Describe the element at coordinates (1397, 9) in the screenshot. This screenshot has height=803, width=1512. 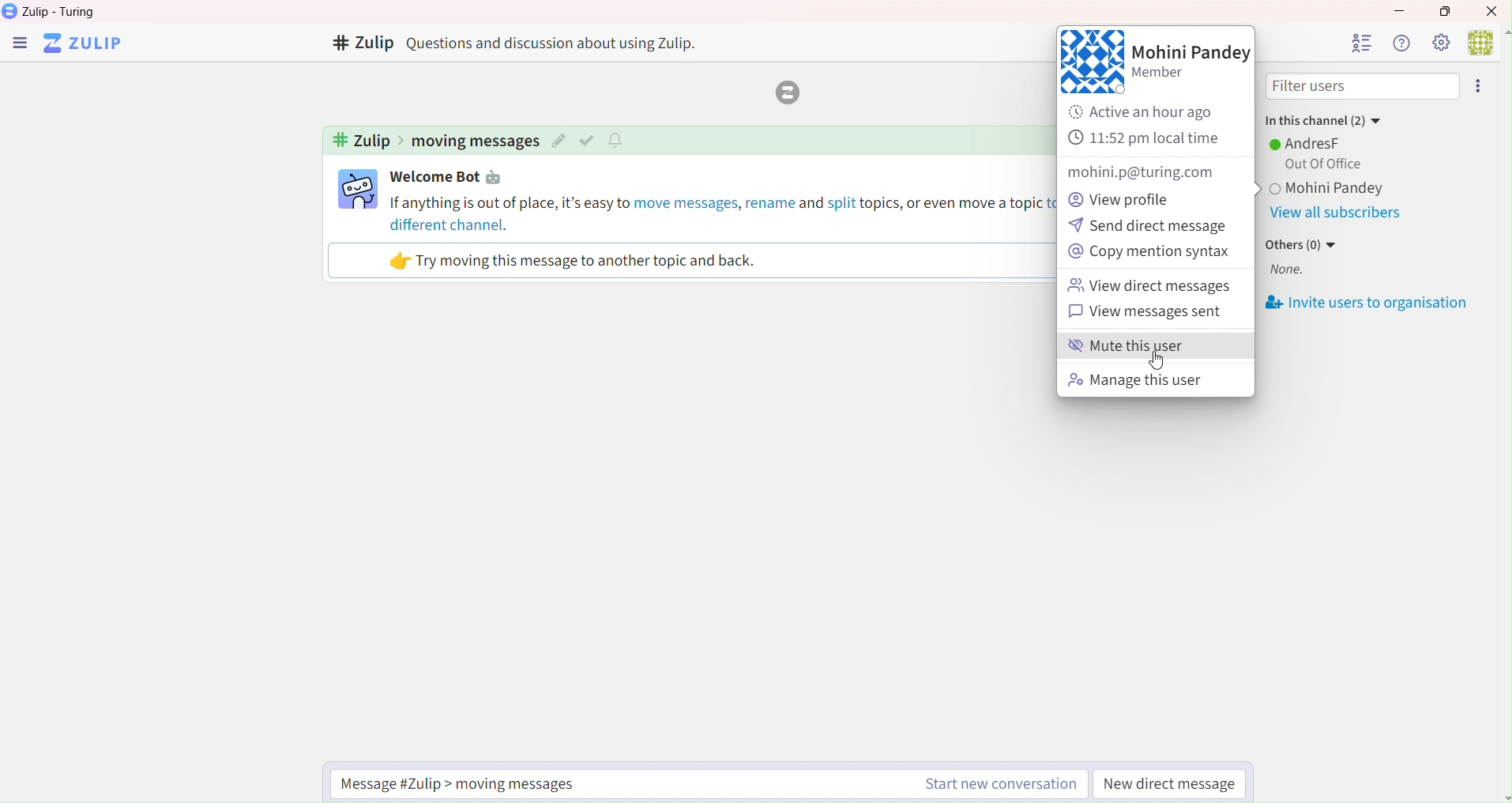
I see `Minimize` at that location.